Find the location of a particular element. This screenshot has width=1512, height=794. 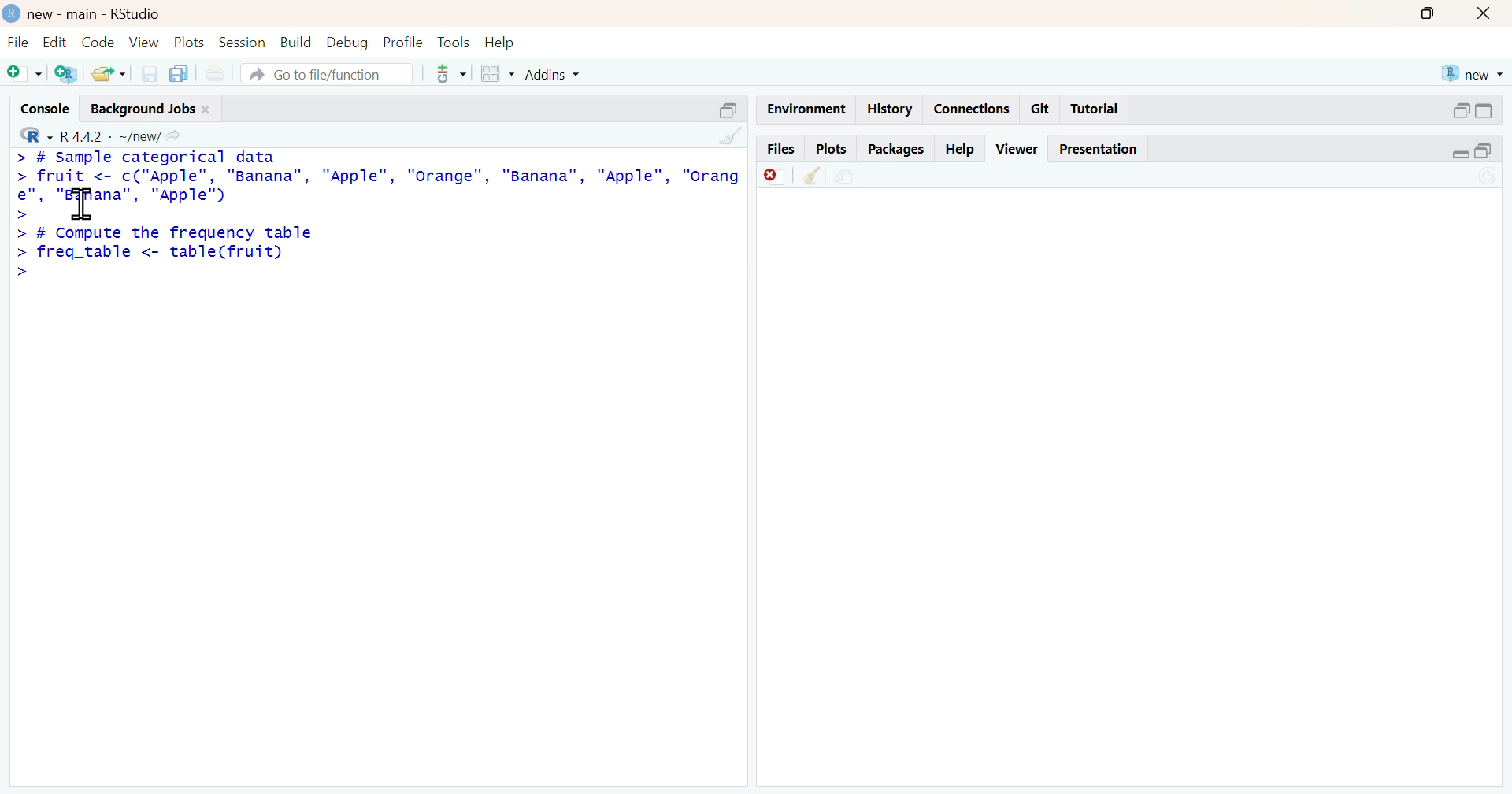

git is located at coordinates (1043, 109).